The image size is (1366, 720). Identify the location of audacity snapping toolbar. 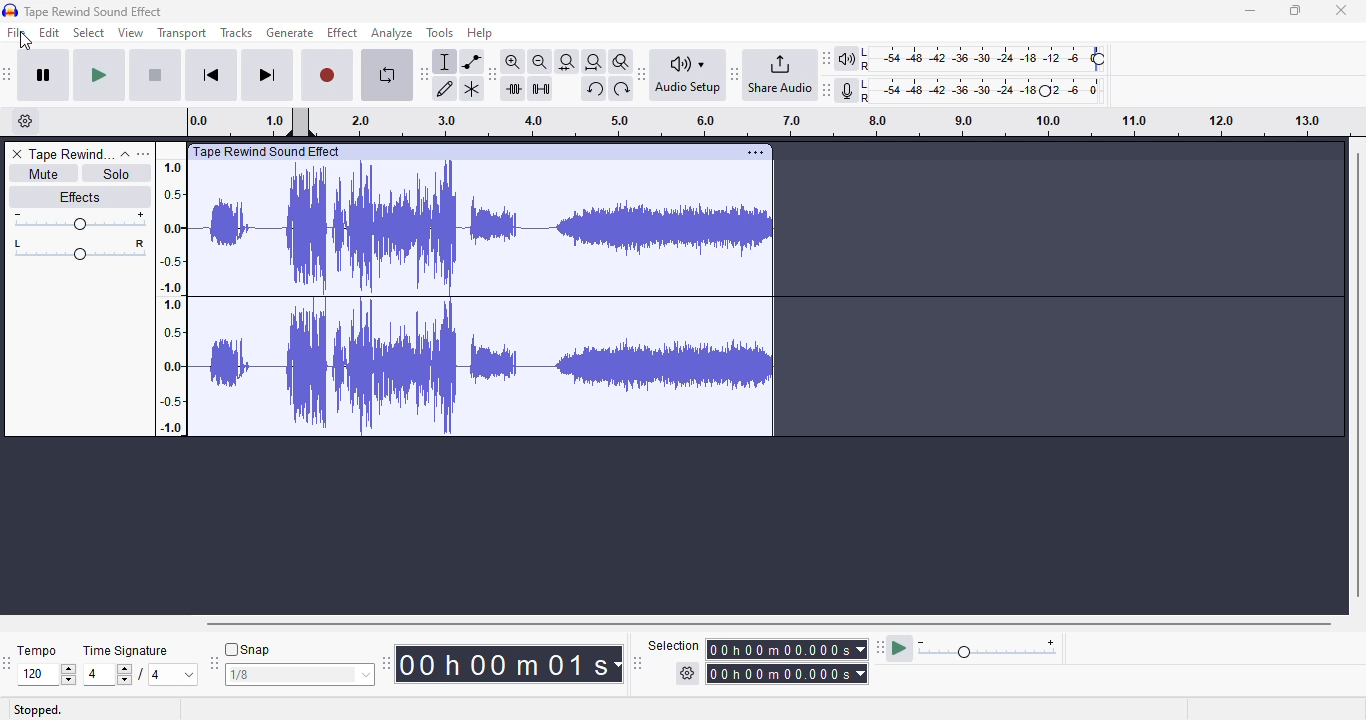
(293, 661).